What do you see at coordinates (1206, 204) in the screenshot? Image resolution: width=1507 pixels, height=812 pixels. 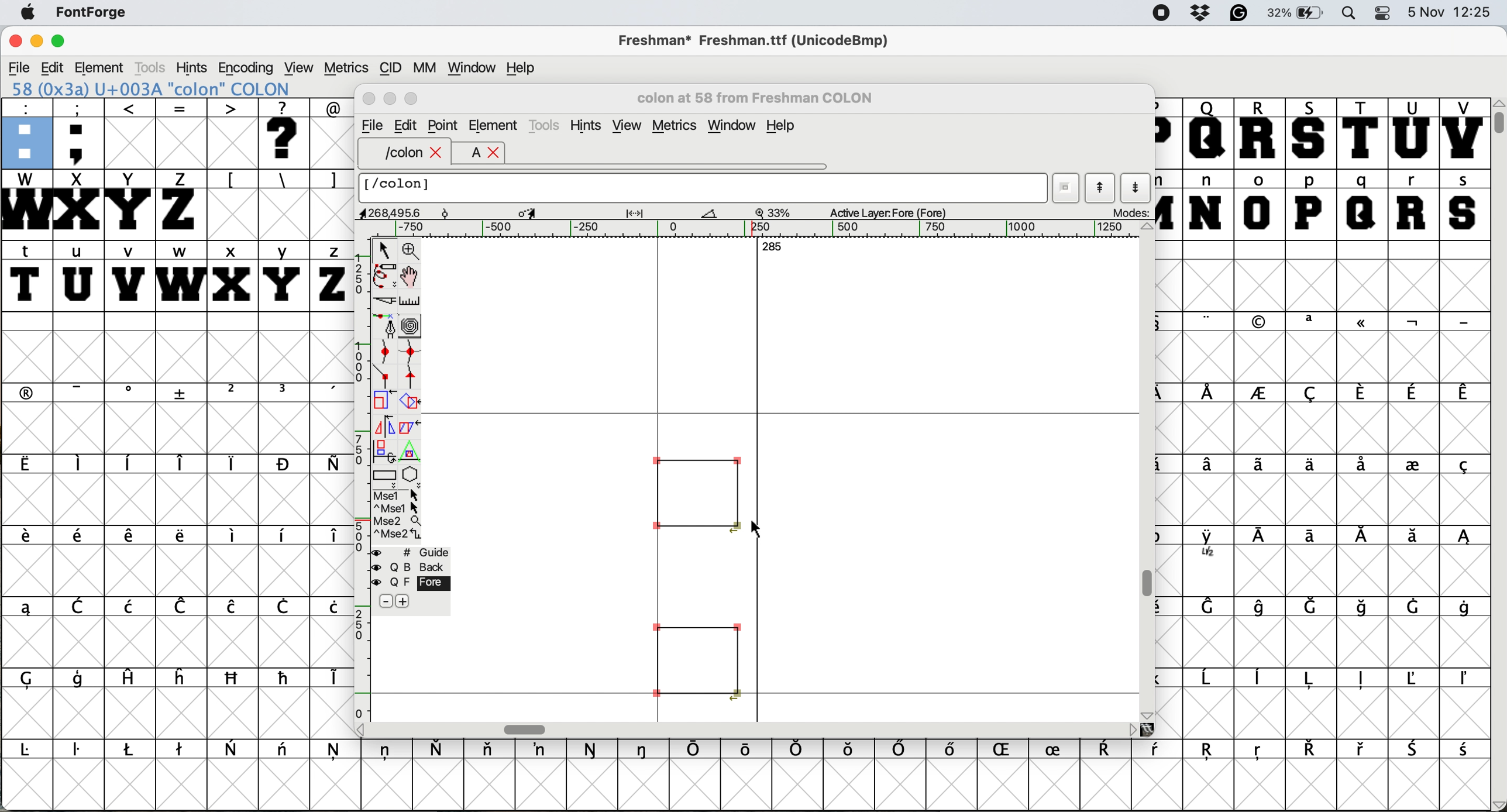 I see `n` at bounding box center [1206, 204].